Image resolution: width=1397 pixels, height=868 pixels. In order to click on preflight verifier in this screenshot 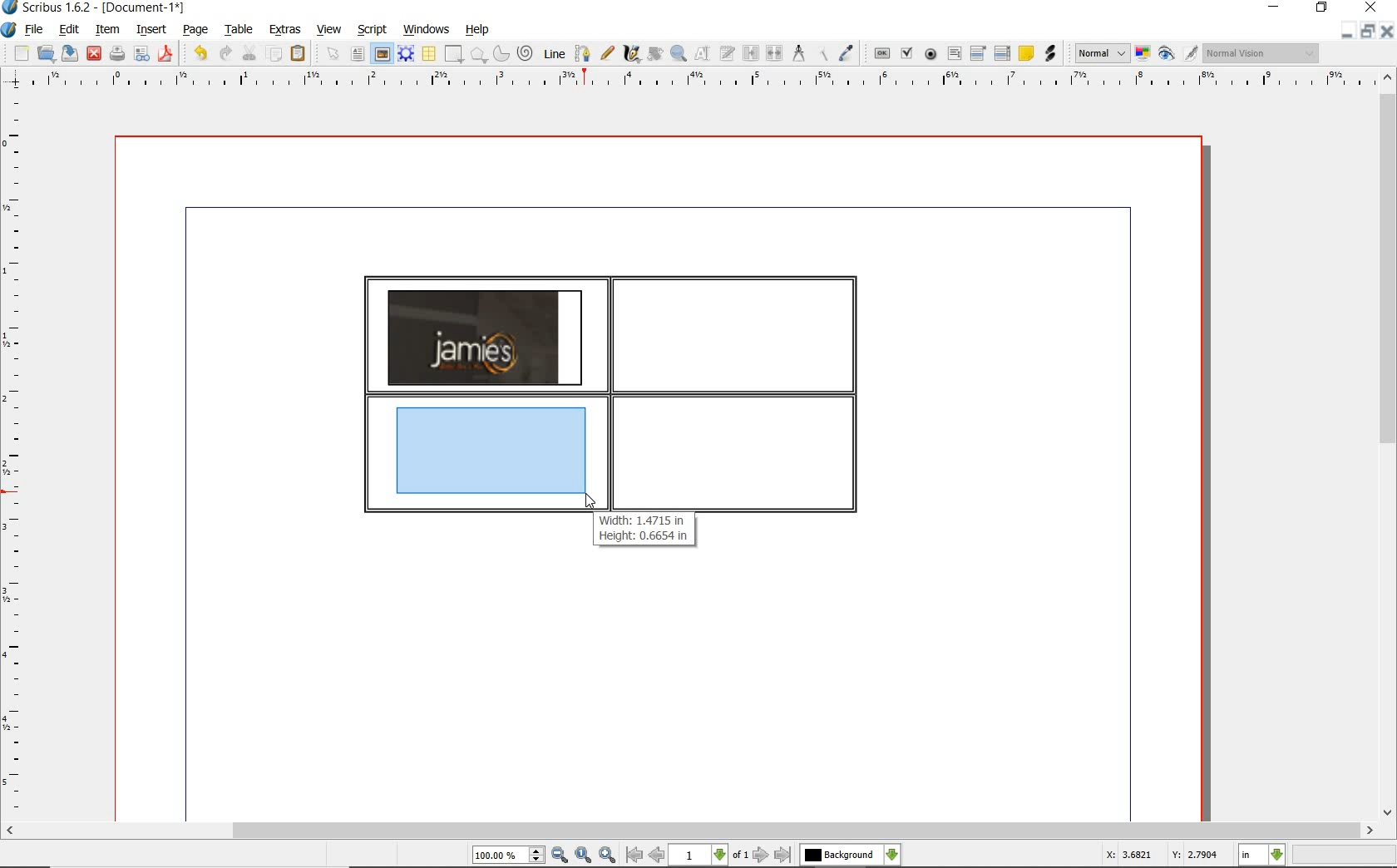, I will do `click(141, 55)`.